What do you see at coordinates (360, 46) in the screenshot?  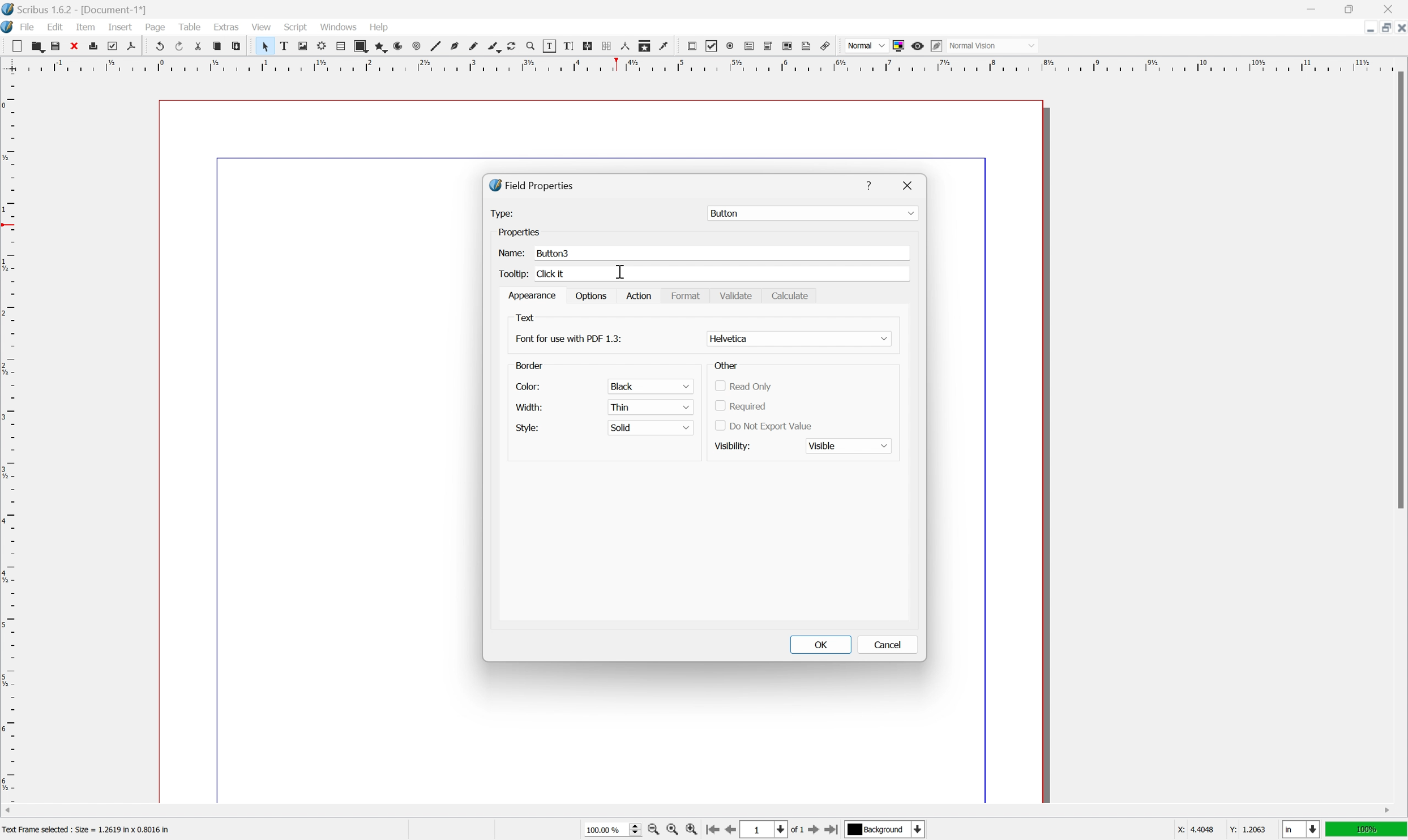 I see `shape` at bounding box center [360, 46].